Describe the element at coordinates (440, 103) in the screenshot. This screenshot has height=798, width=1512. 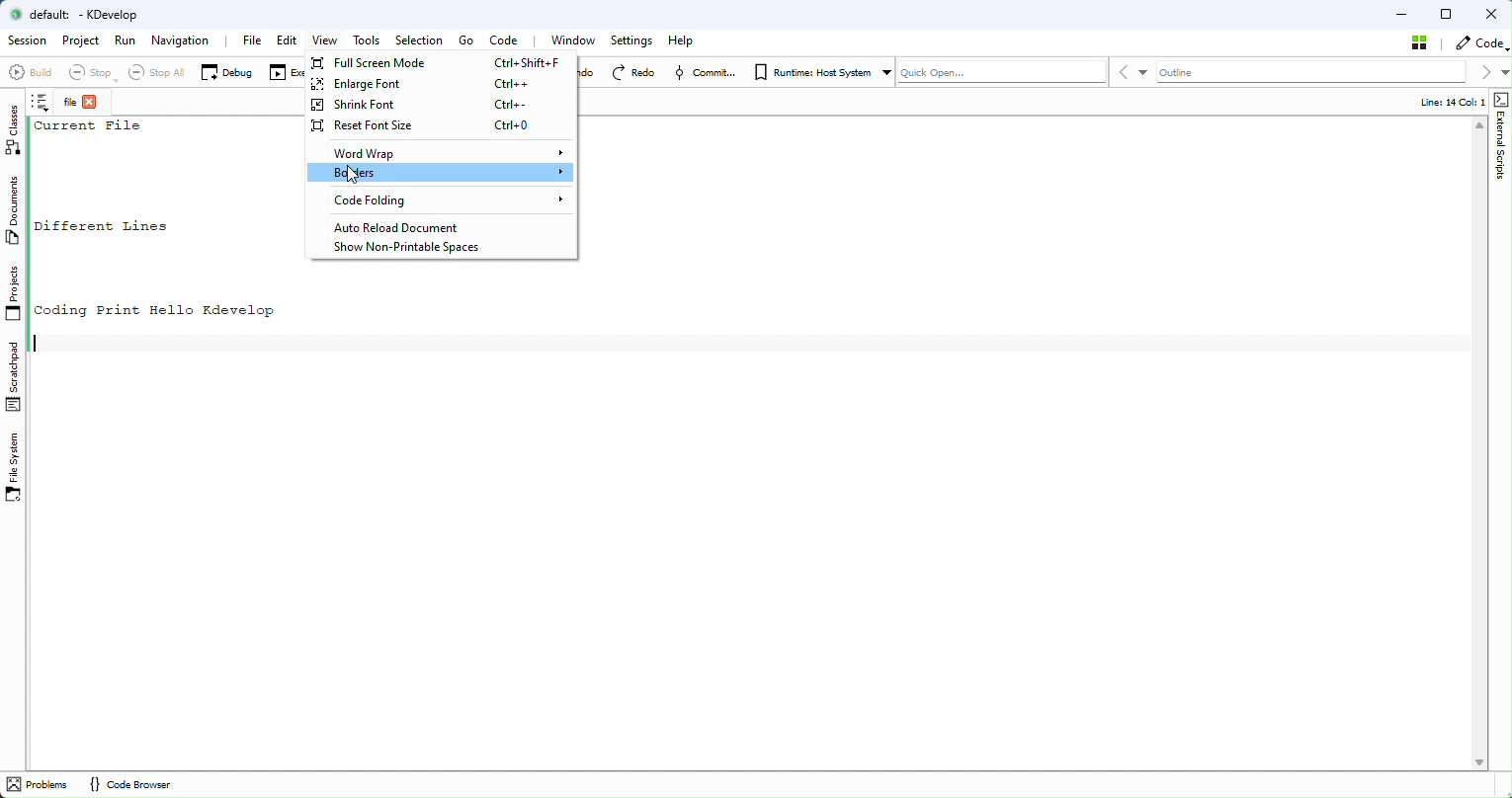
I see `Enlarge Font Ctrl++` at that location.